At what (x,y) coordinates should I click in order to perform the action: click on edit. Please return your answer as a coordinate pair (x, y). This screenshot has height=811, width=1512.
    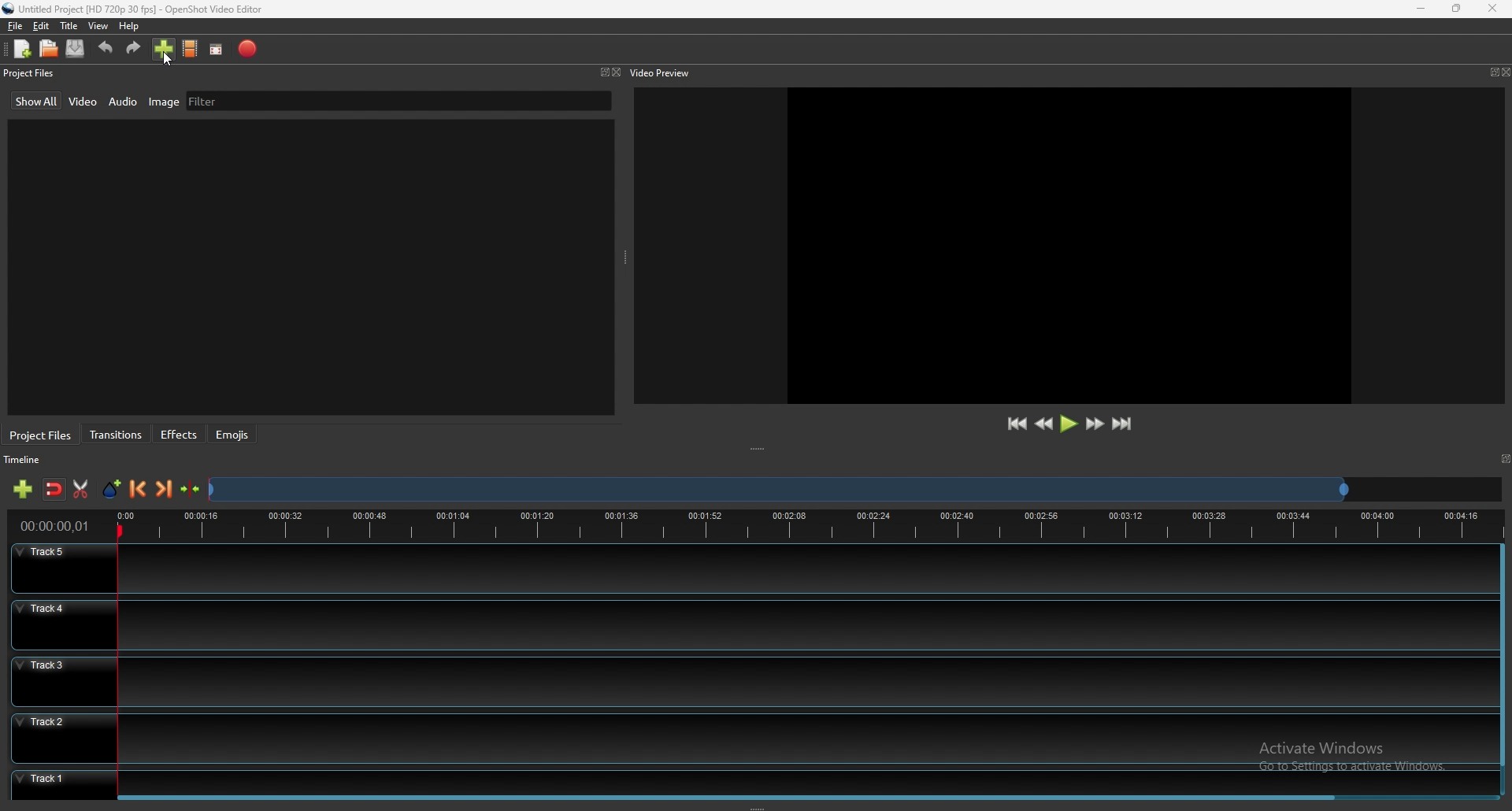
    Looking at the image, I should click on (40, 27).